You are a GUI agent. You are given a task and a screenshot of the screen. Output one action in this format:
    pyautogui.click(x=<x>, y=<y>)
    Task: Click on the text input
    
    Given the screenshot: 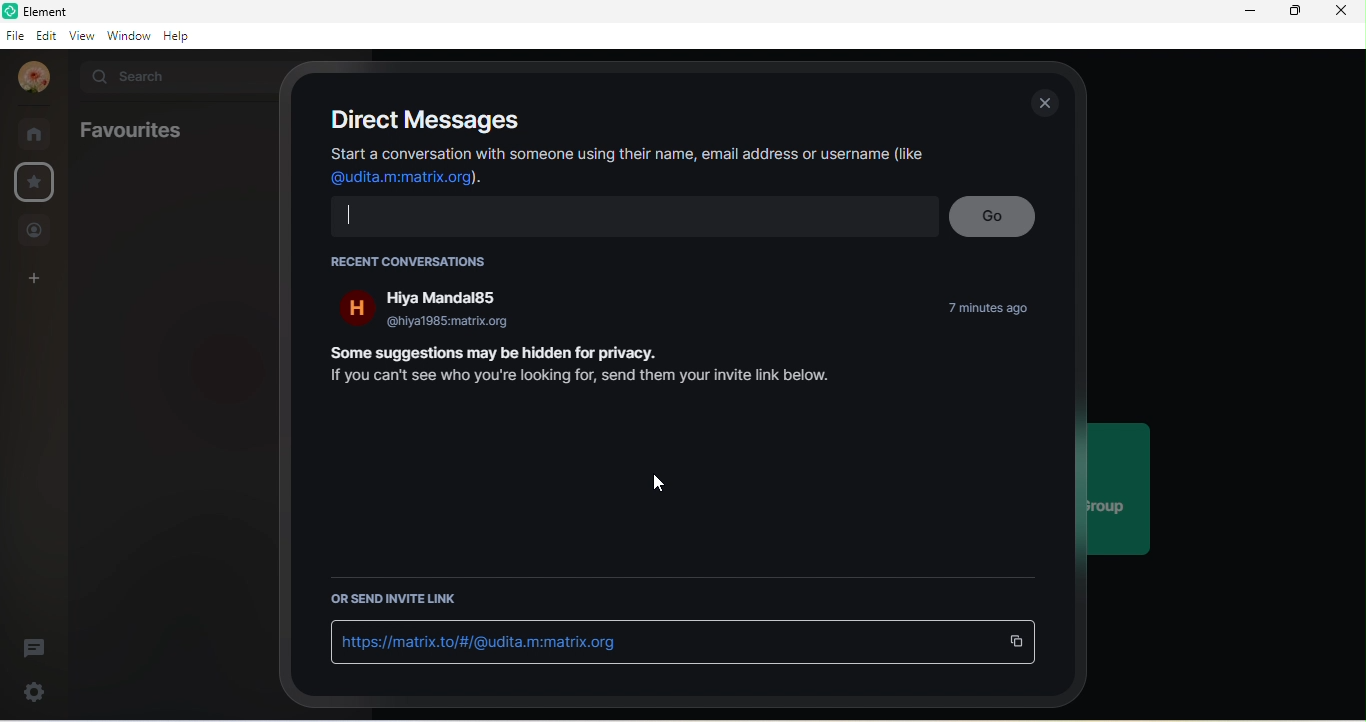 What is the action you would take?
    pyautogui.click(x=631, y=216)
    